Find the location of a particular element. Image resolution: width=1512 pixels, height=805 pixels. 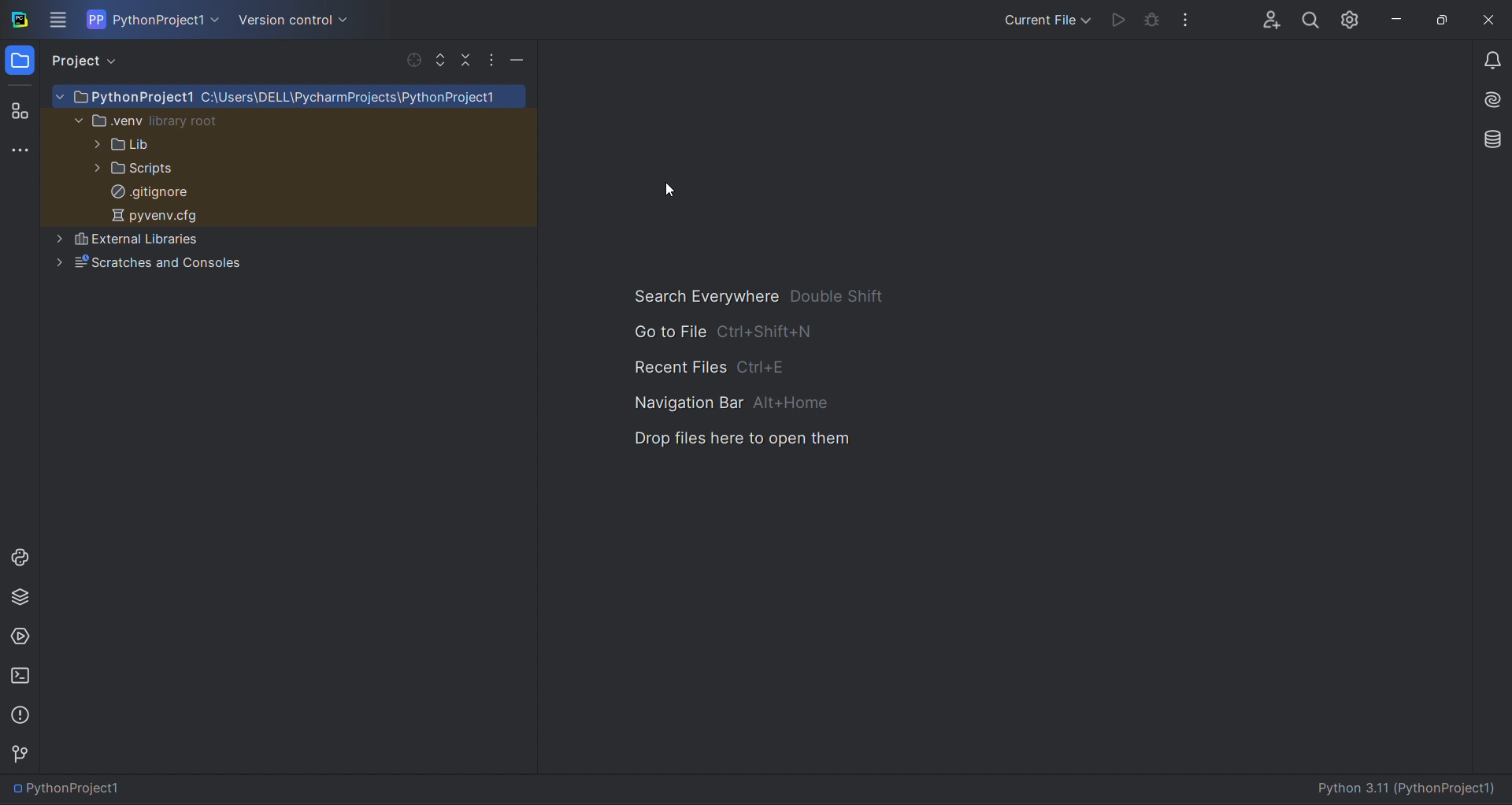

Search Everywhere is located at coordinates (758, 297).